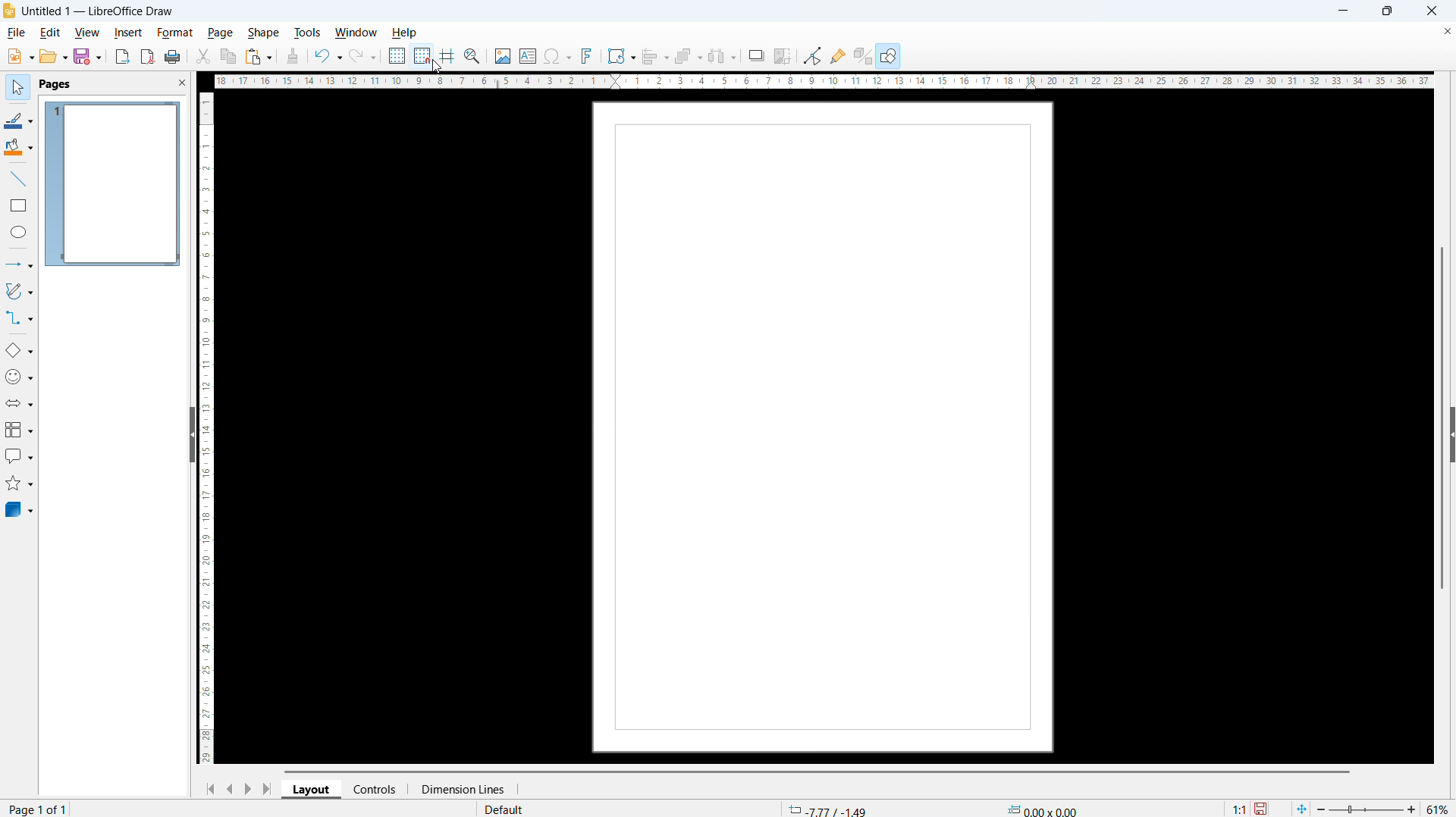  What do you see at coordinates (193, 434) in the screenshot?
I see `Hide pane ` at bounding box center [193, 434].